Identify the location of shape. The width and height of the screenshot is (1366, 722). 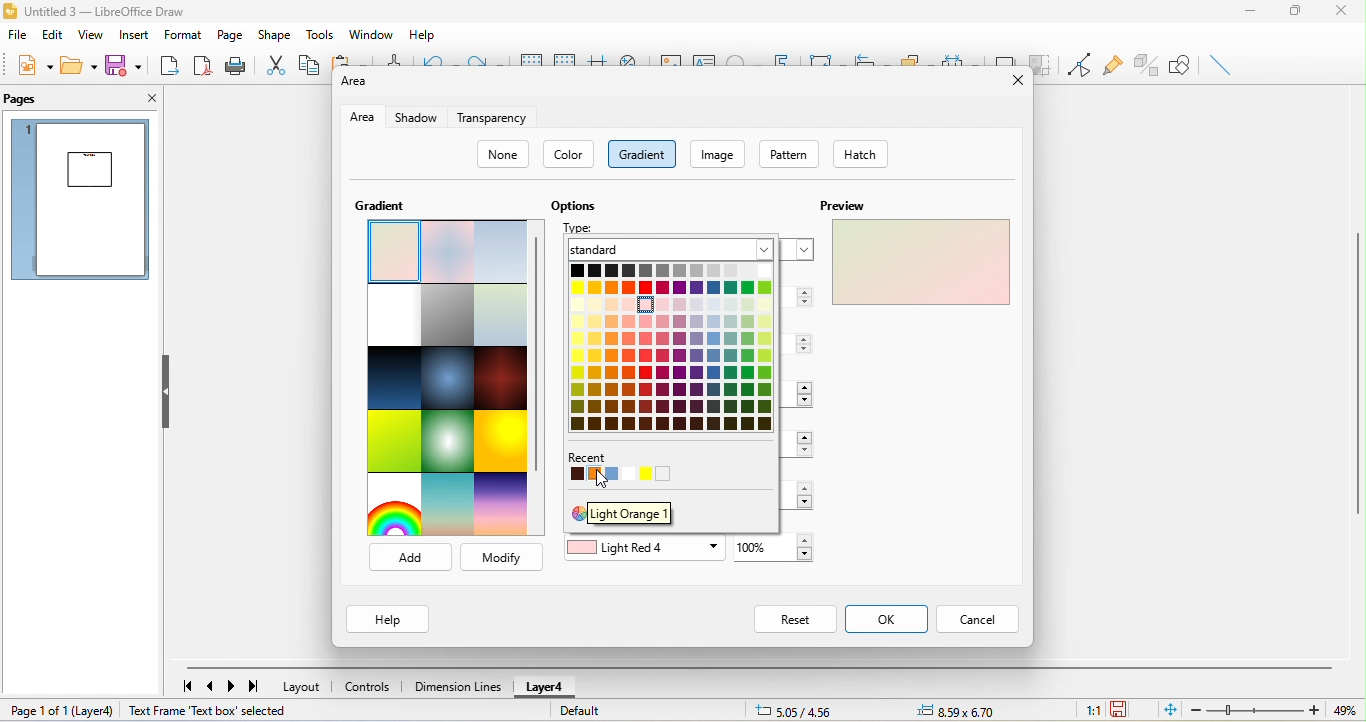
(273, 33).